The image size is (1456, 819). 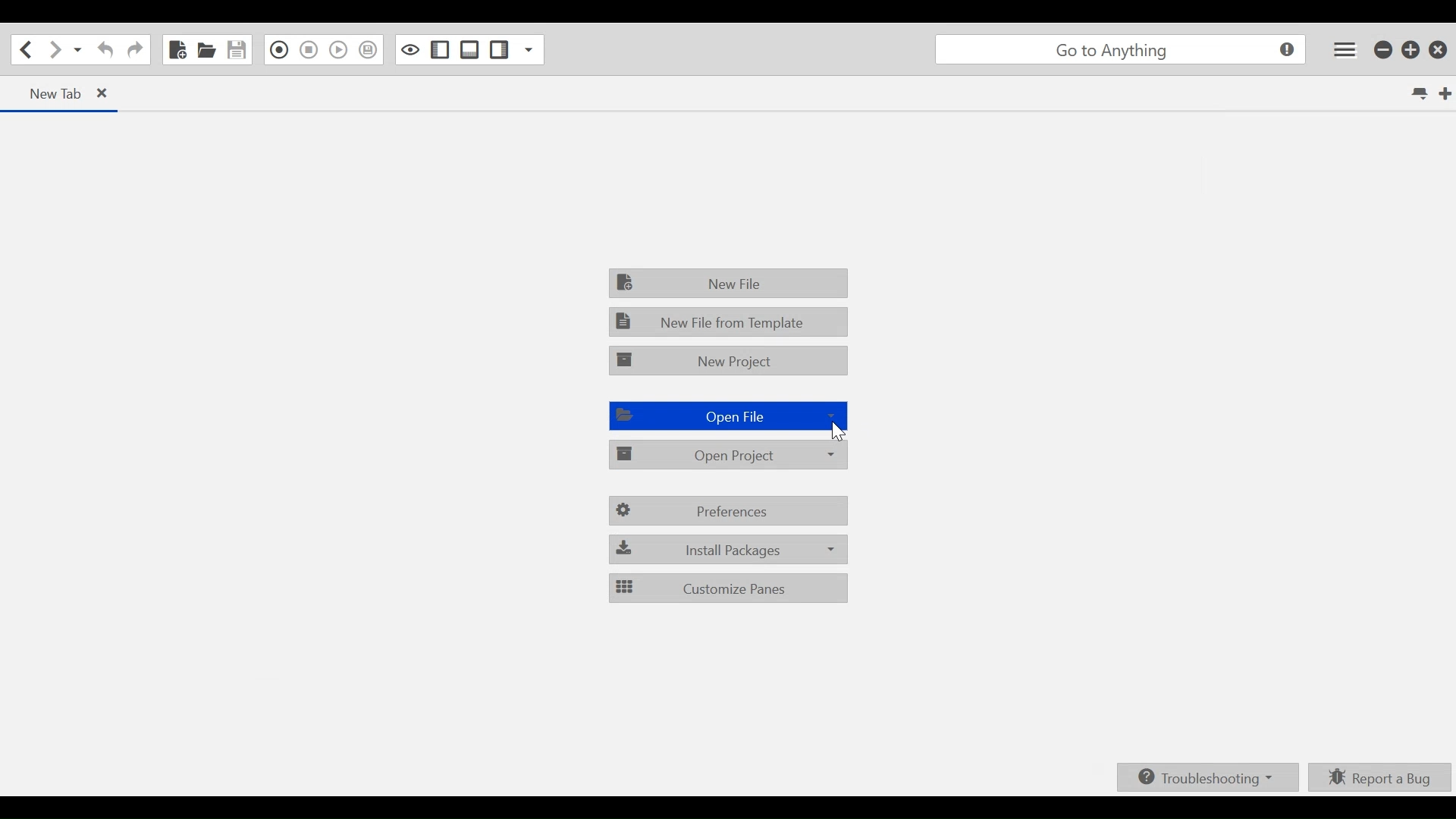 I want to click on New File from Template, so click(x=729, y=321).